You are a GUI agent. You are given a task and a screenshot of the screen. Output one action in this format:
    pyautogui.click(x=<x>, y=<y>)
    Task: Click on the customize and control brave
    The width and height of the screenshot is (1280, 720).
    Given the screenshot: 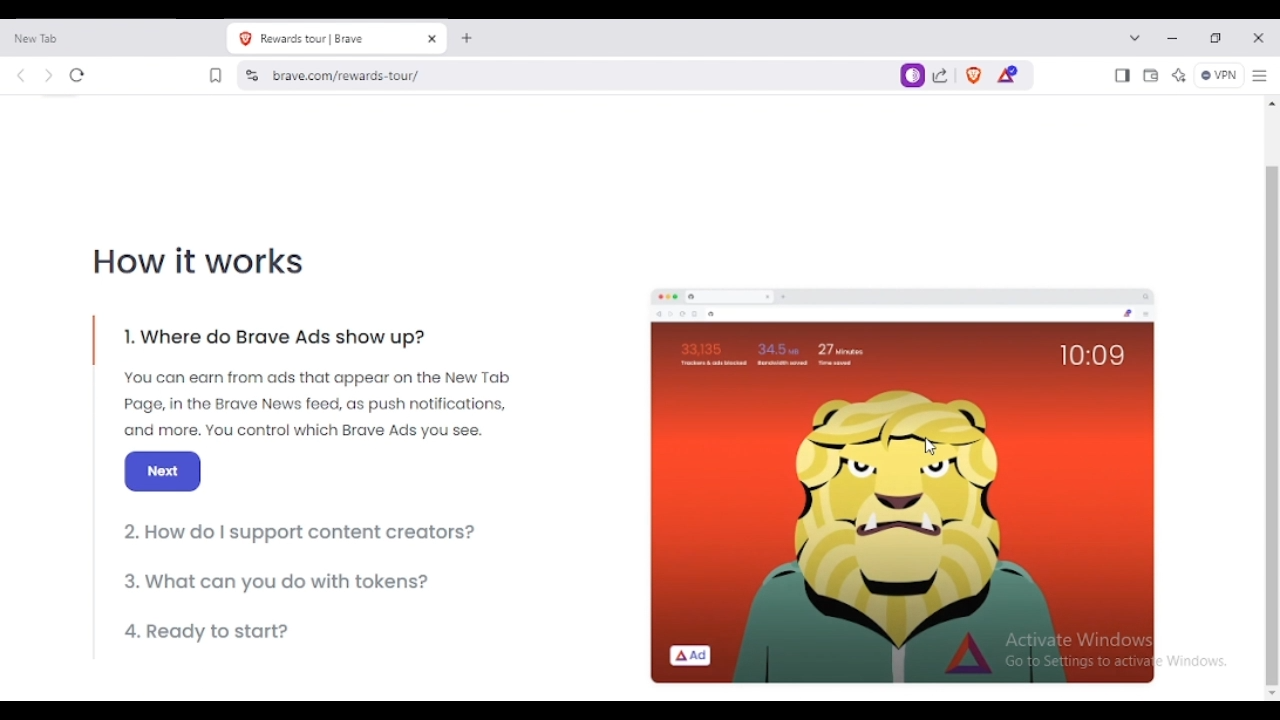 What is the action you would take?
    pyautogui.click(x=1260, y=75)
    